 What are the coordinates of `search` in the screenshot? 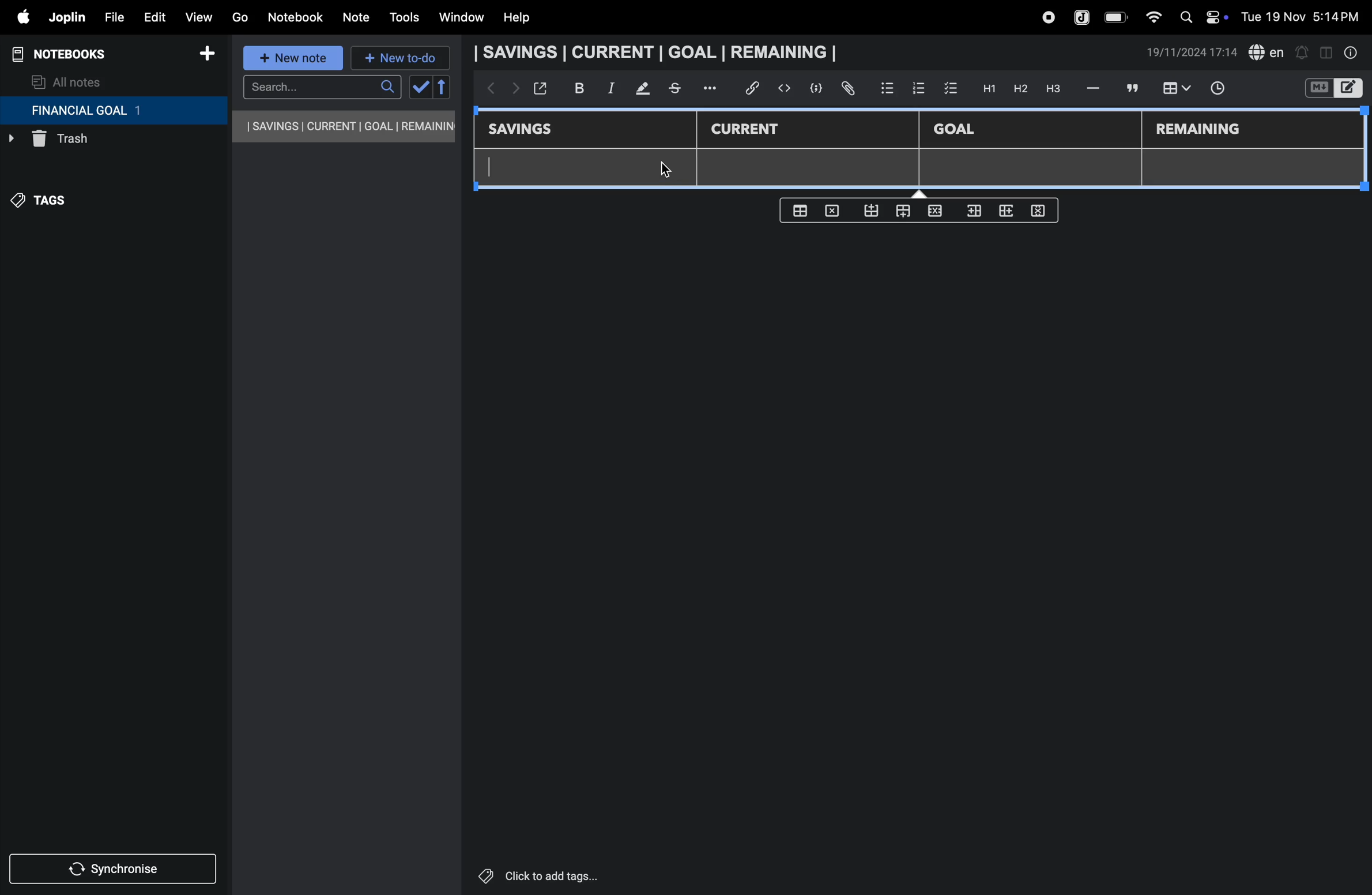 It's located at (322, 87).